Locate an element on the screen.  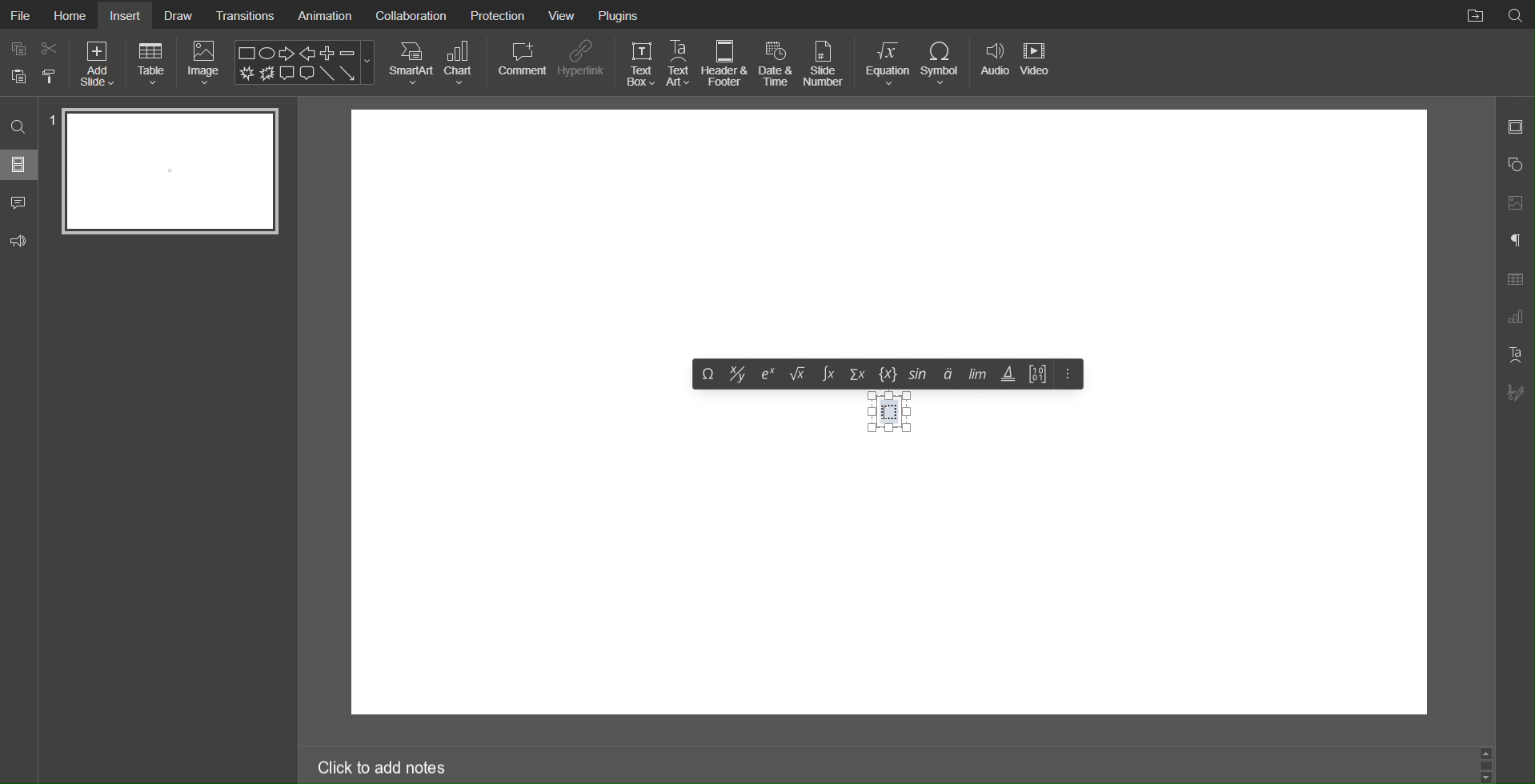
Audio is located at coordinates (996, 63).